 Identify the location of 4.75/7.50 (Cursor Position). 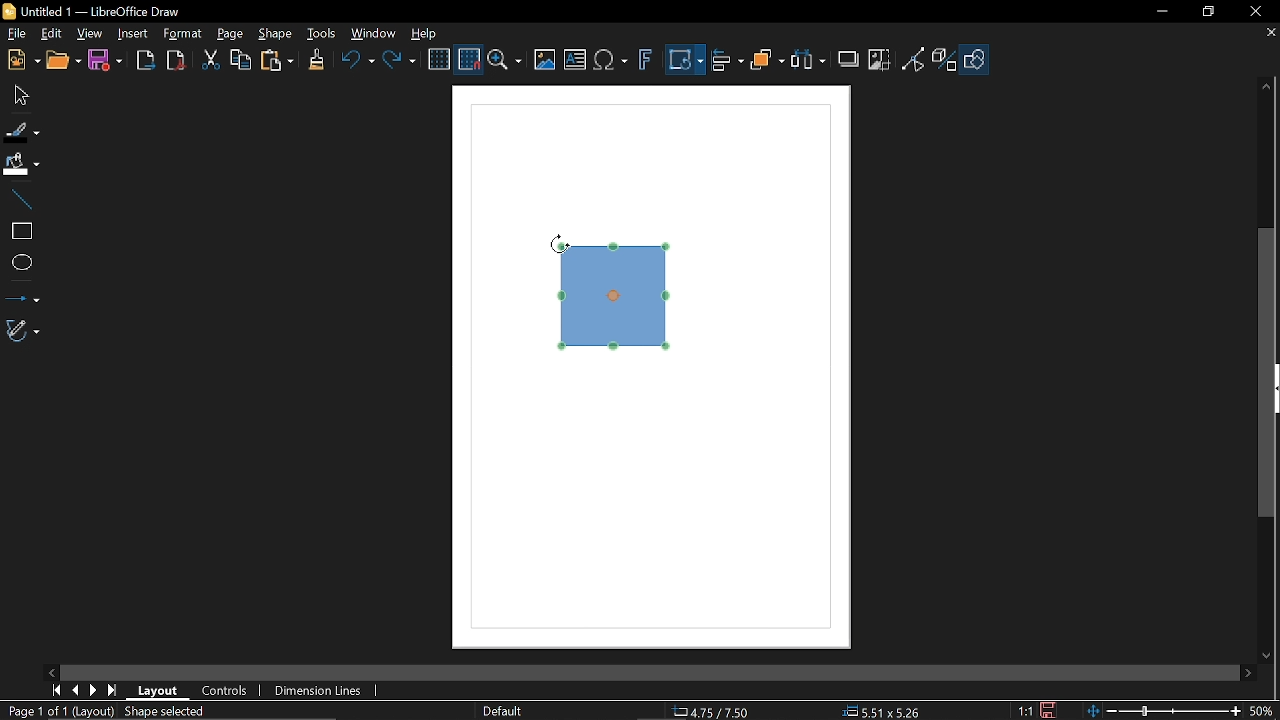
(710, 710).